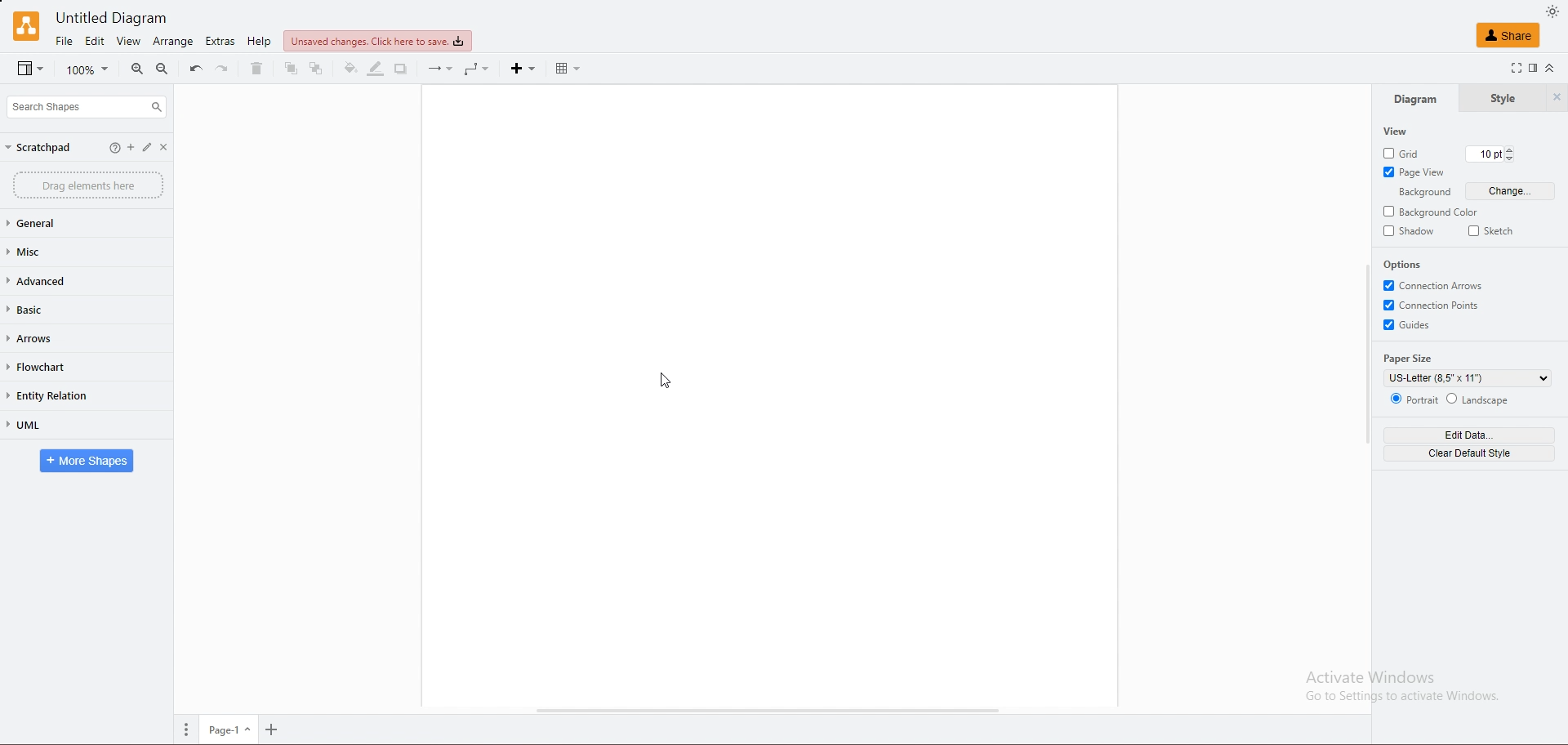  What do you see at coordinates (48, 252) in the screenshot?
I see `misc` at bounding box center [48, 252].